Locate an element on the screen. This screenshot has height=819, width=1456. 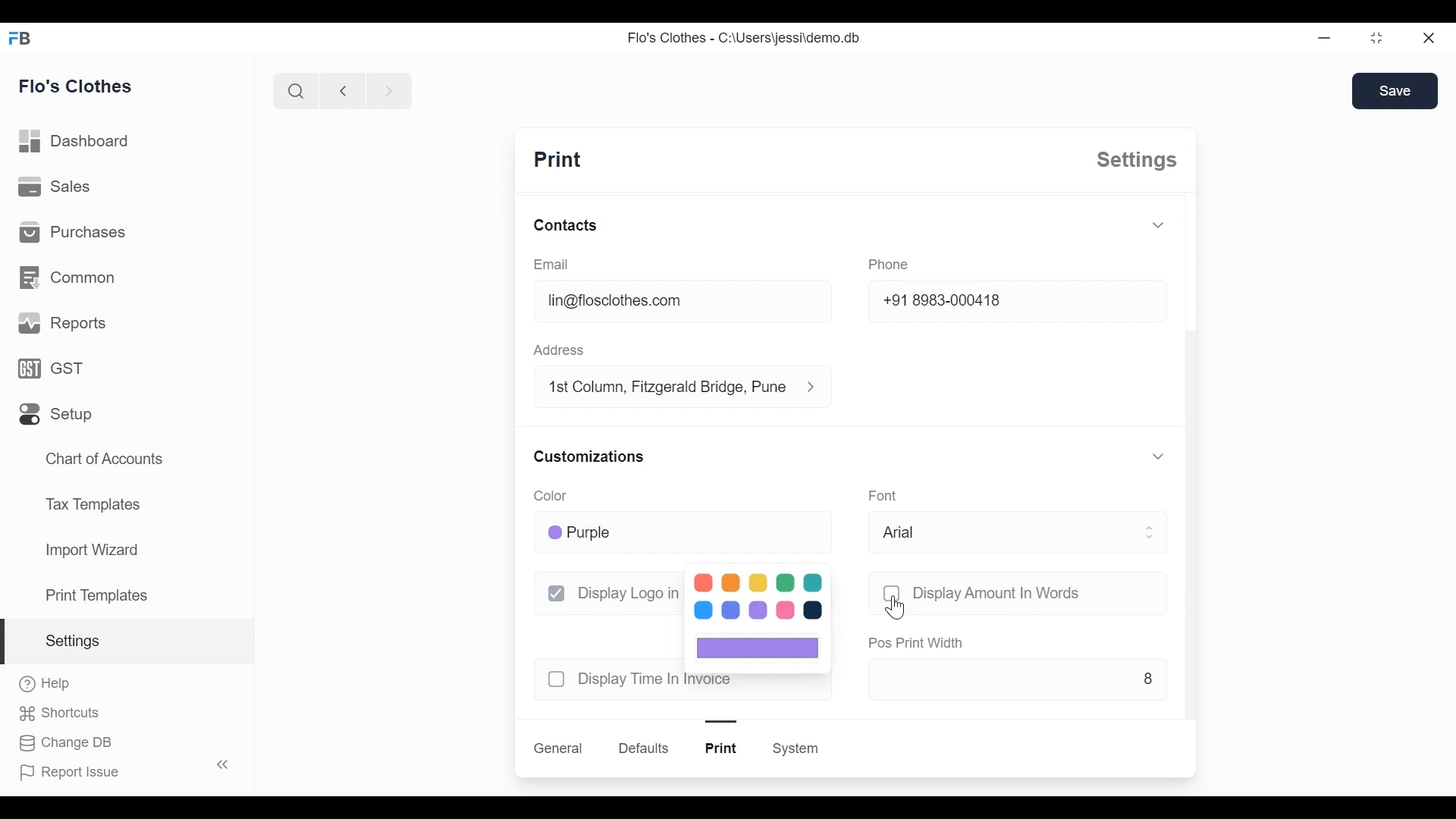
checkbox is located at coordinates (557, 679).